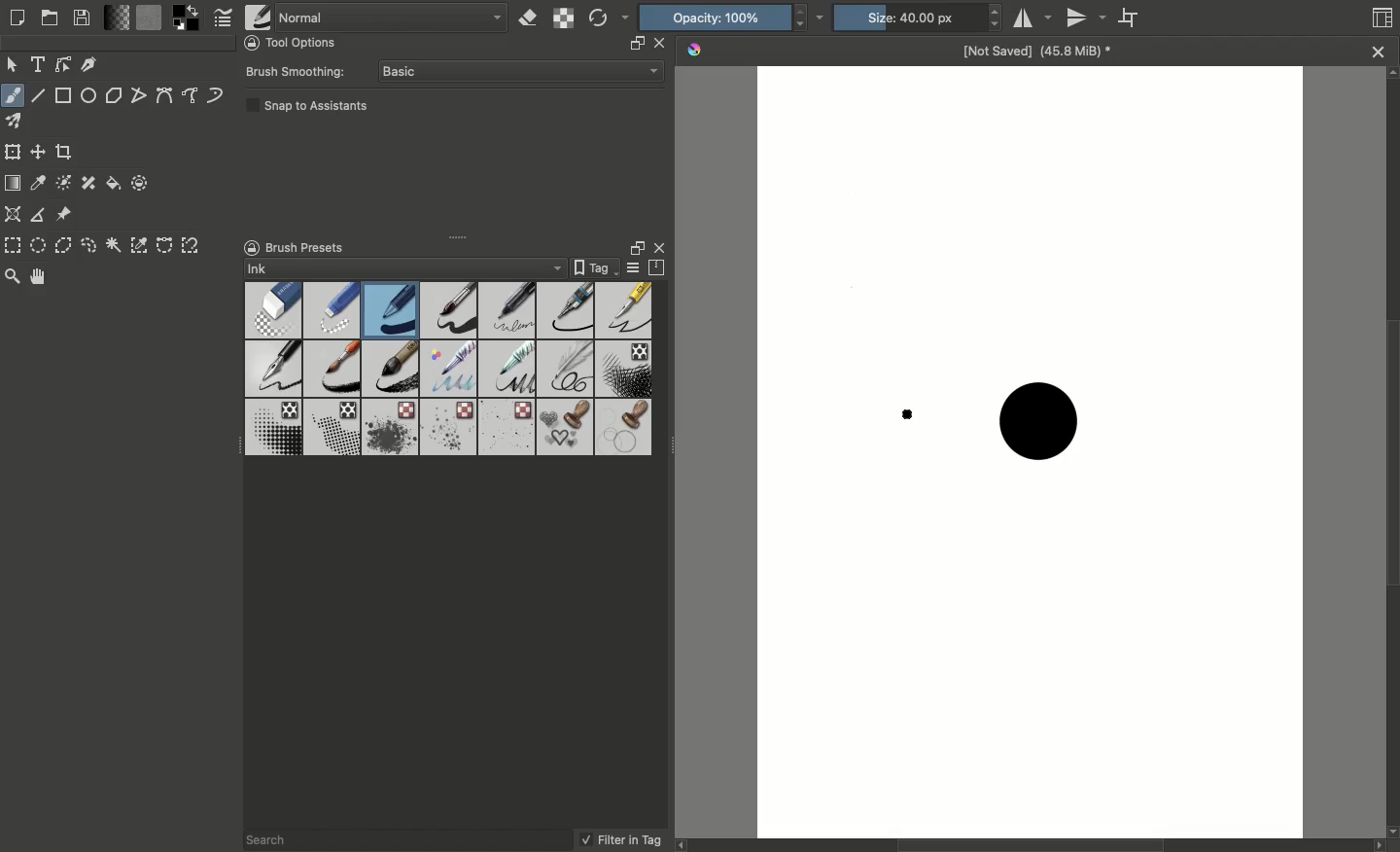  I want to click on Fill gradients, so click(118, 17).